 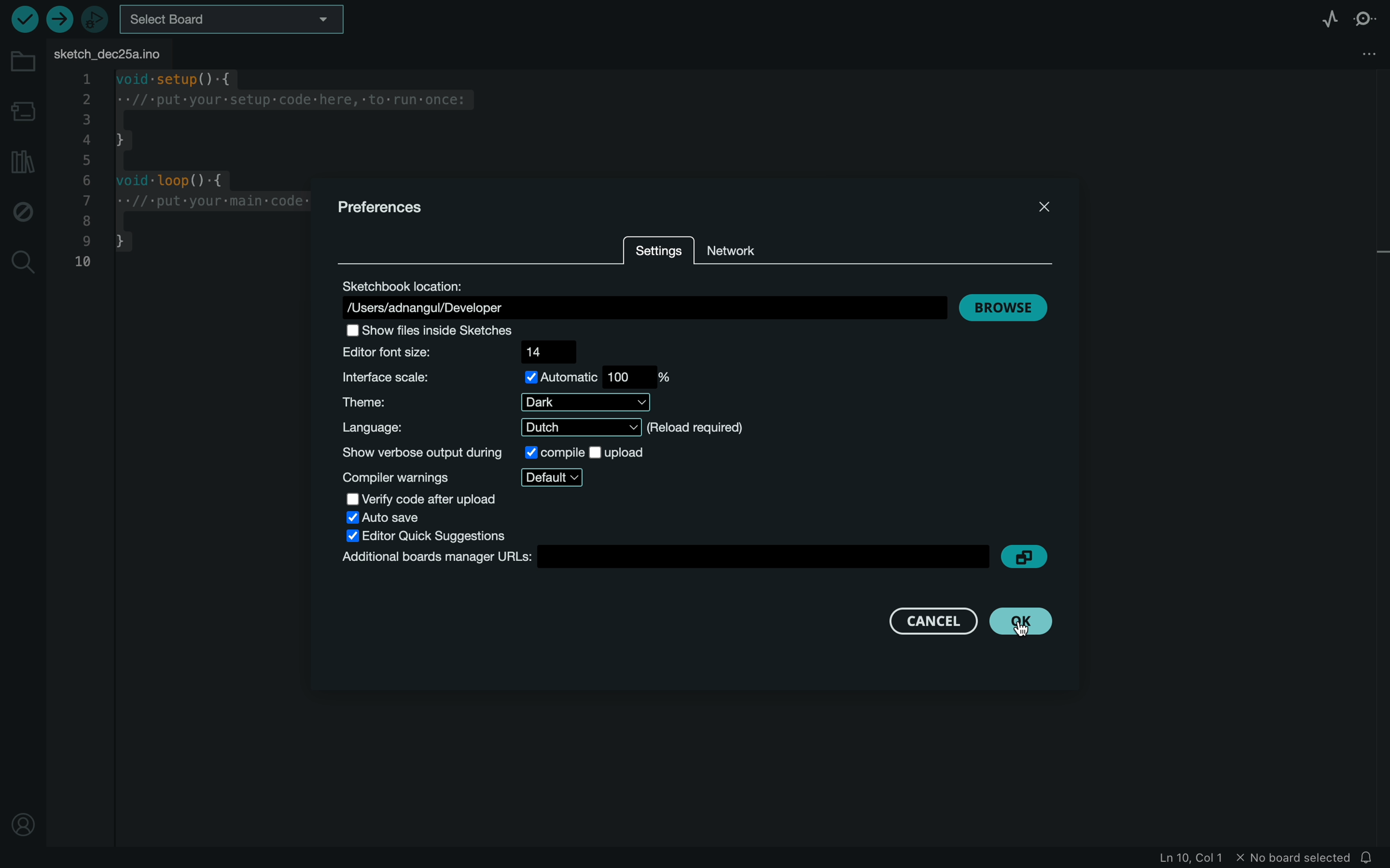 I want to click on cancel, so click(x=930, y=622).